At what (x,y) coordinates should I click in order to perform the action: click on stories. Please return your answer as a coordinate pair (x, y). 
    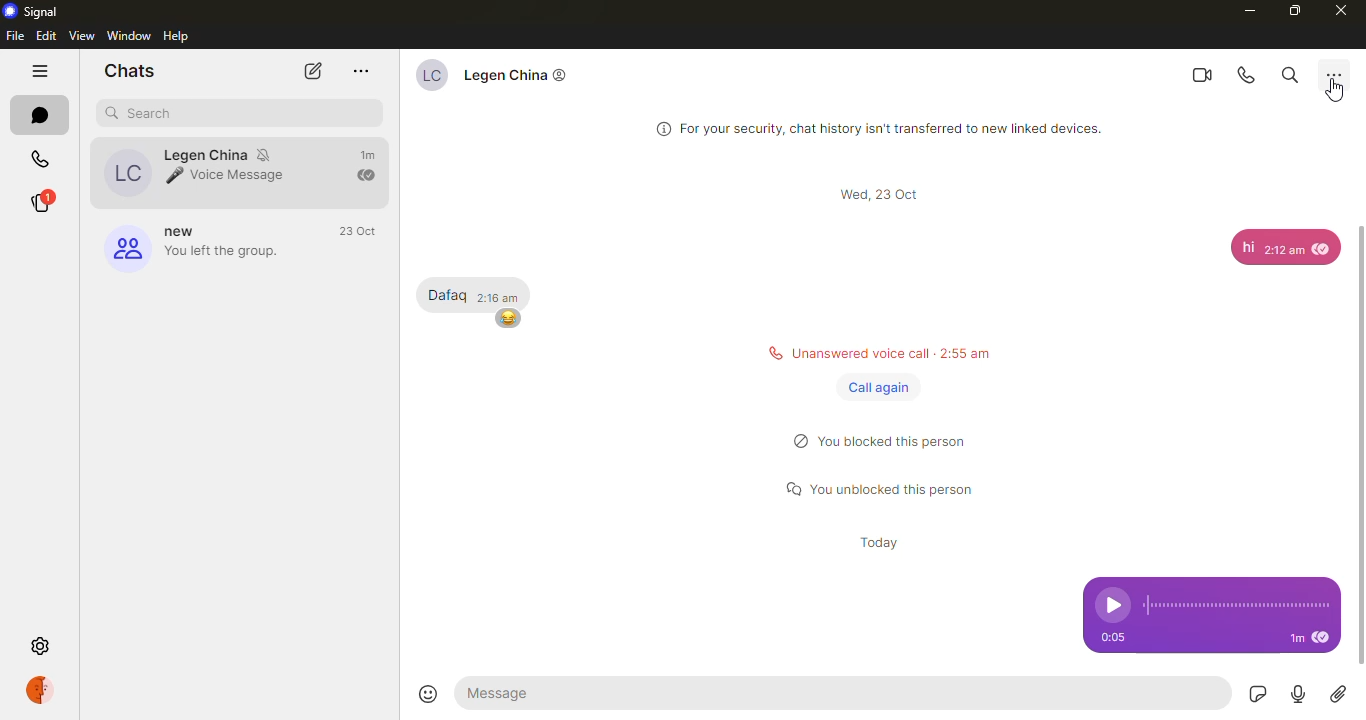
    Looking at the image, I should click on (51, 202).